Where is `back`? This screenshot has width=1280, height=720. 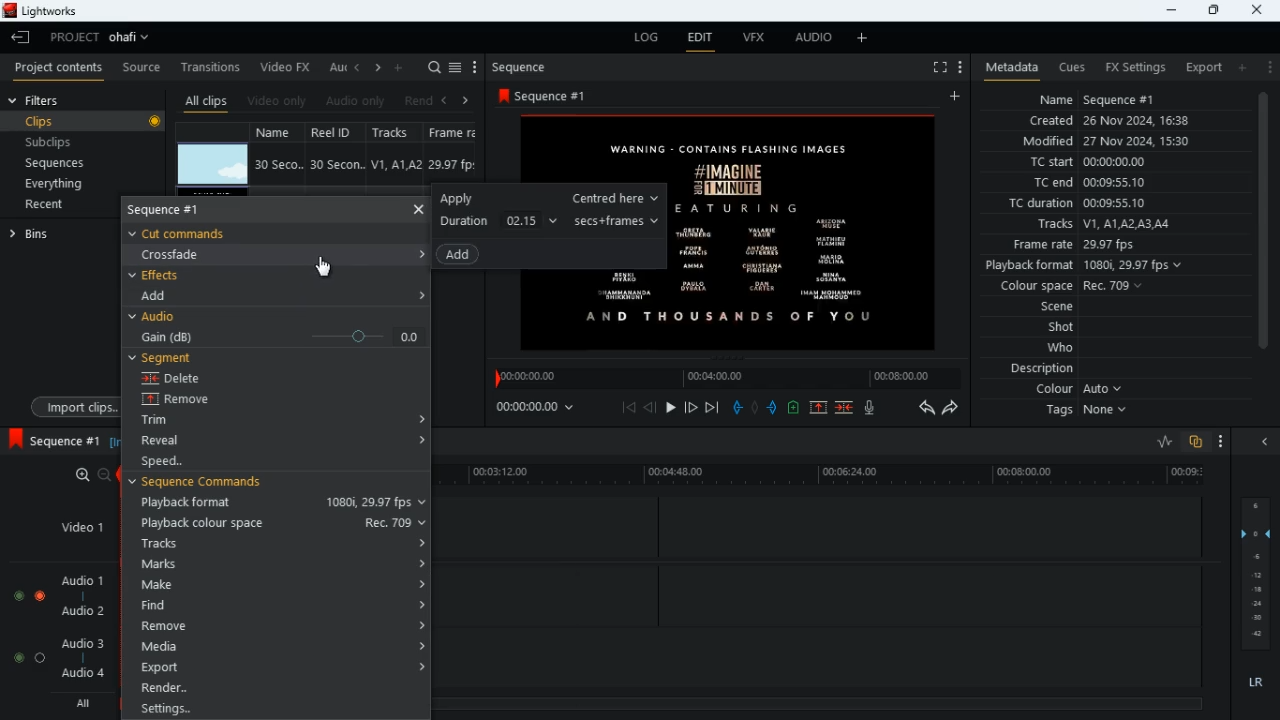 back is located at coordinates (650, 408).